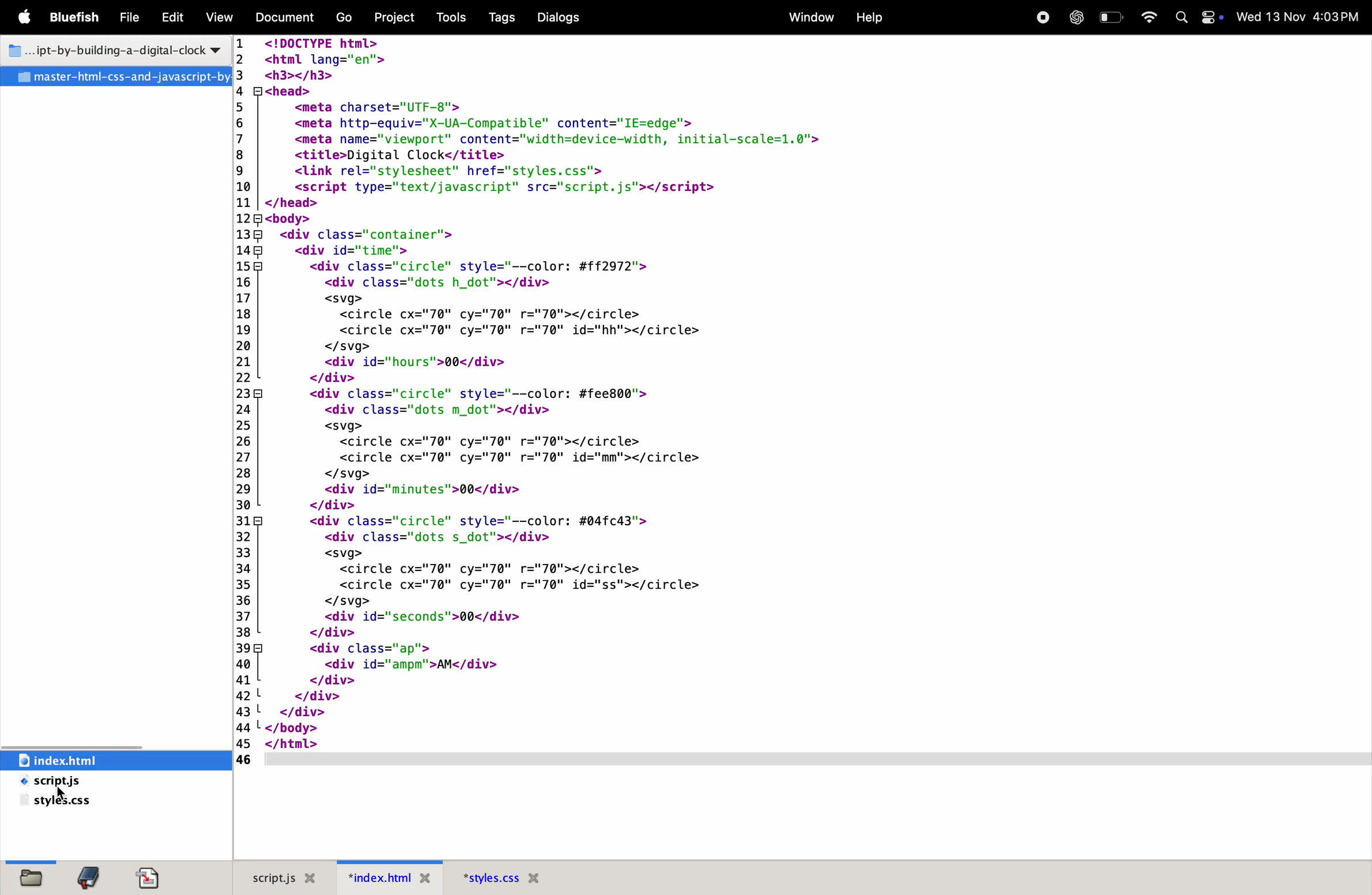 This screenshot has height=895, width=1372. Describe the element at coordinates (1039, 17) in the screenshot. I see `record` at that location.